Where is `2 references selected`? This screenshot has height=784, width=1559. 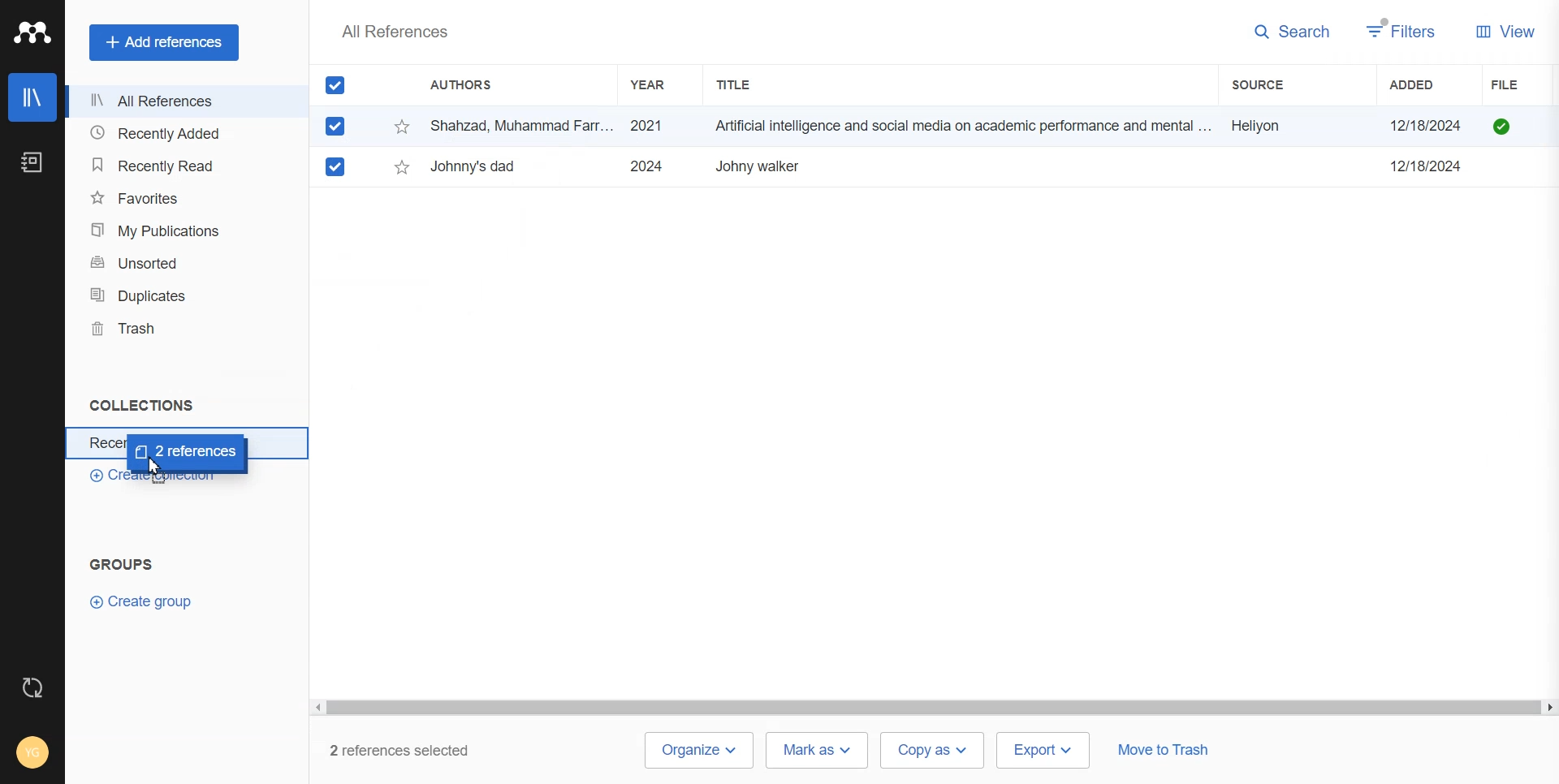
2 references selected is located at coordinates (409, 751).